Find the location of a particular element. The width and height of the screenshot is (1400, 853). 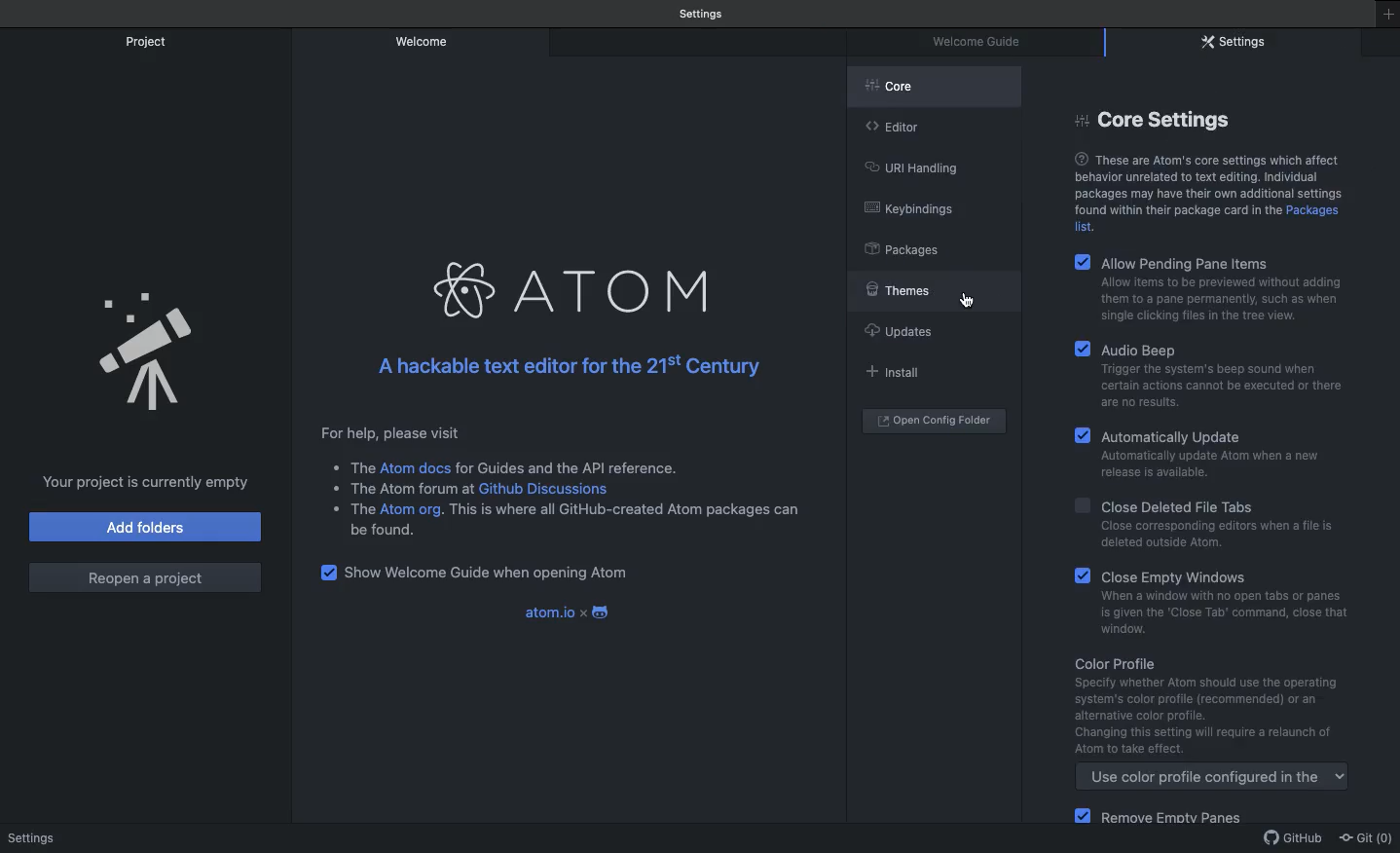

Core is located at coordinates (936, 83).